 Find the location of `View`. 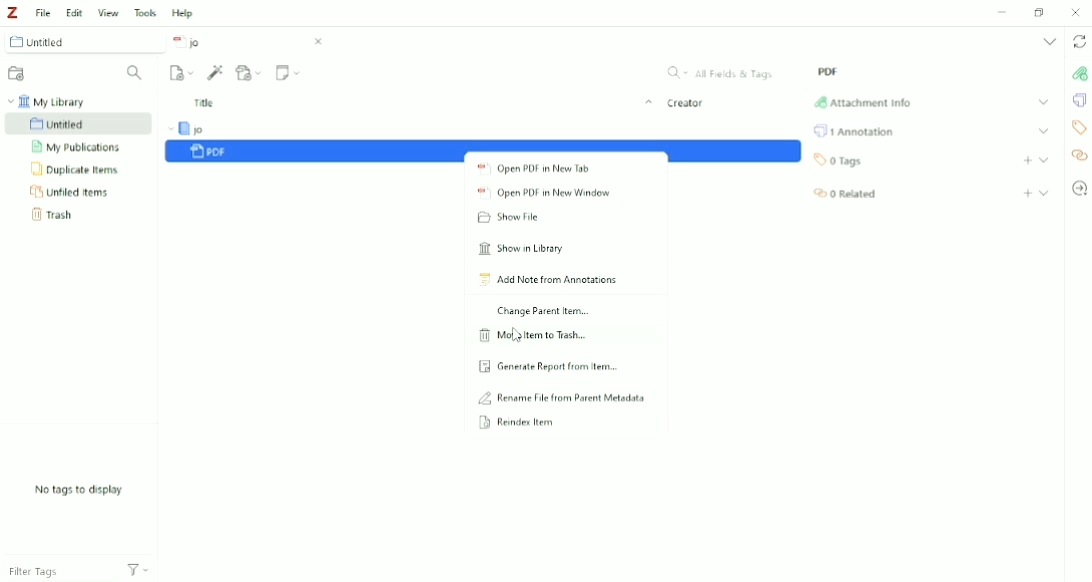

View is located at coordinates (109, 12).